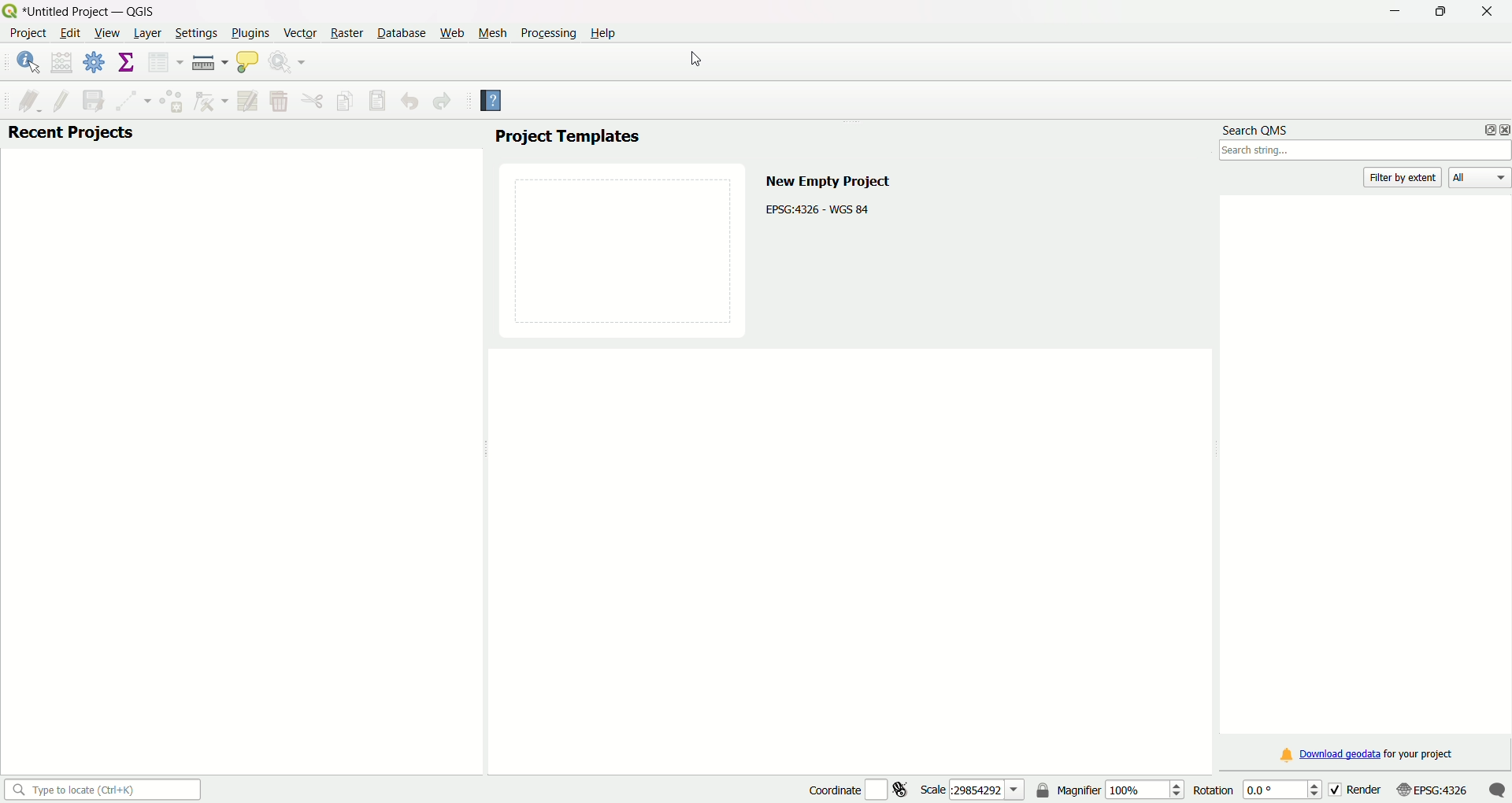 Image resolution: width=1512 pixels, height=803 pixels. What do you see at coordinates (127, 63) in the screenshot?
I see `show statistical summary` at bounding box center [127, 63].